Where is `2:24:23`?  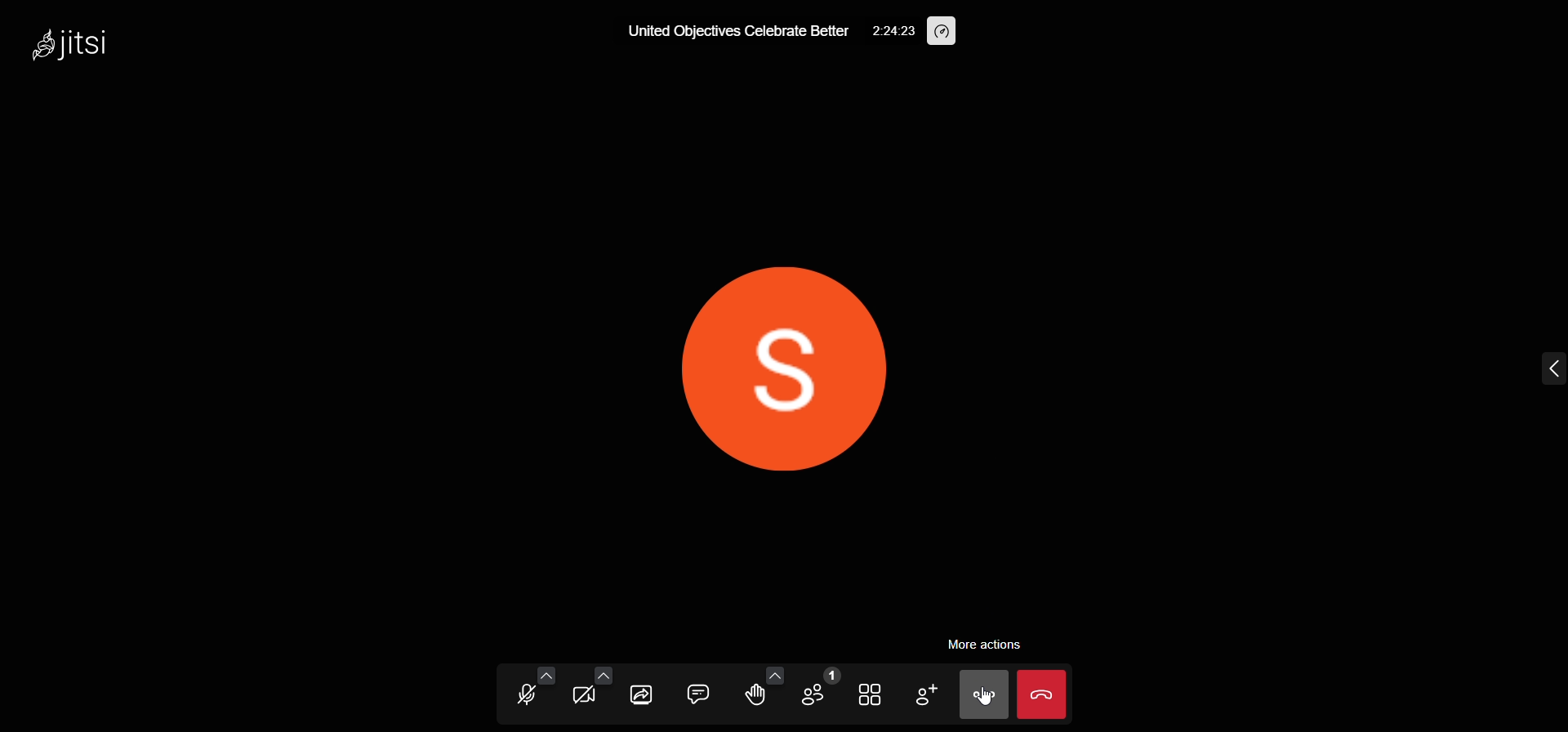
2:24:23 is located at coordinates (893, 31).